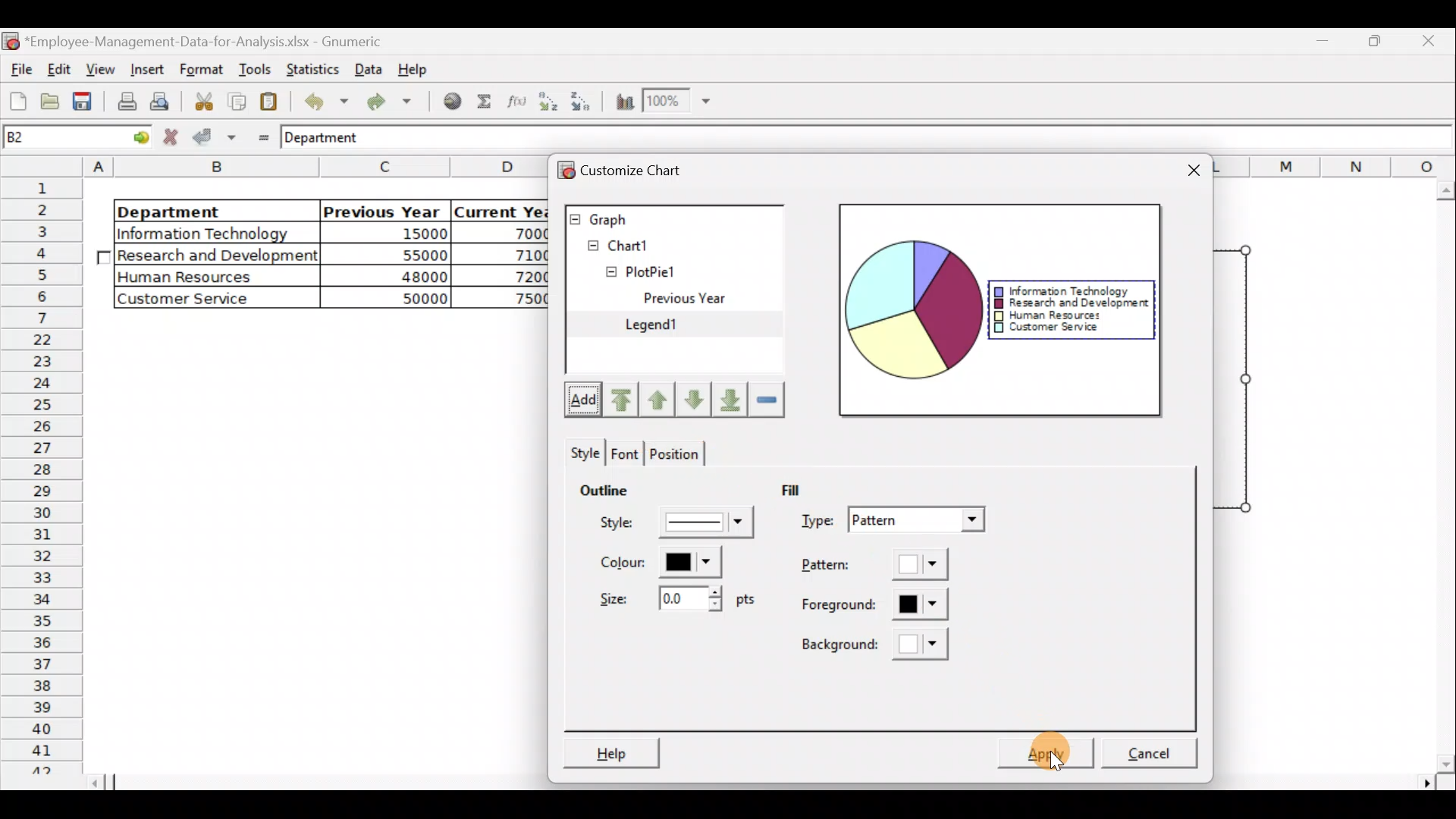  I want to click on Undo last action, so click(324, 101).